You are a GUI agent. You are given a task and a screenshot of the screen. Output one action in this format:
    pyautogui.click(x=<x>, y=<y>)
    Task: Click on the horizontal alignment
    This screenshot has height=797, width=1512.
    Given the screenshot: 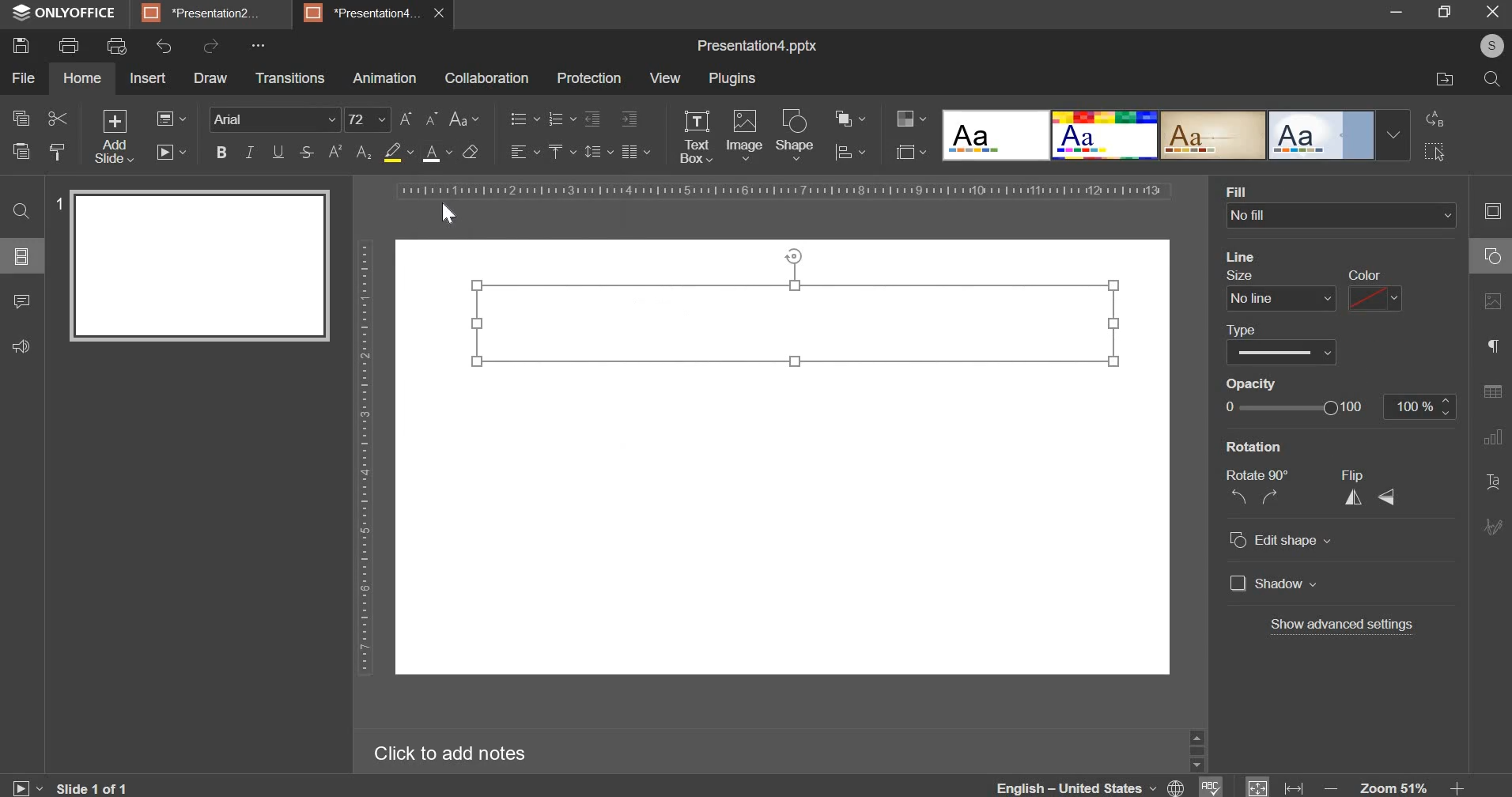 What is the action you would take?
    pyautogui.click(x=524, y=149)
    